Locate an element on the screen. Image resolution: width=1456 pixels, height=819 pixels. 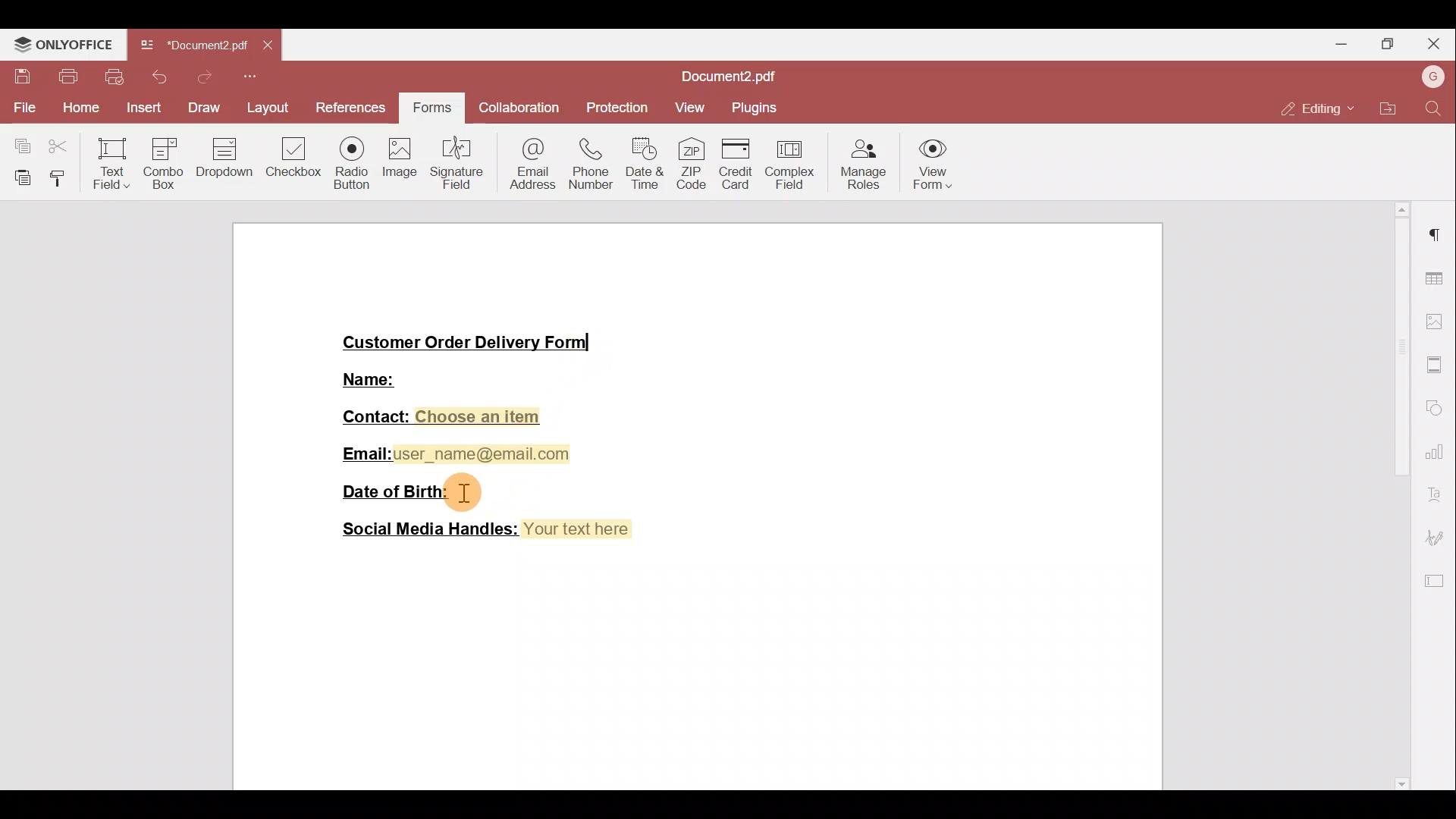
Date of Birth: is located at coordinates (394, 490).